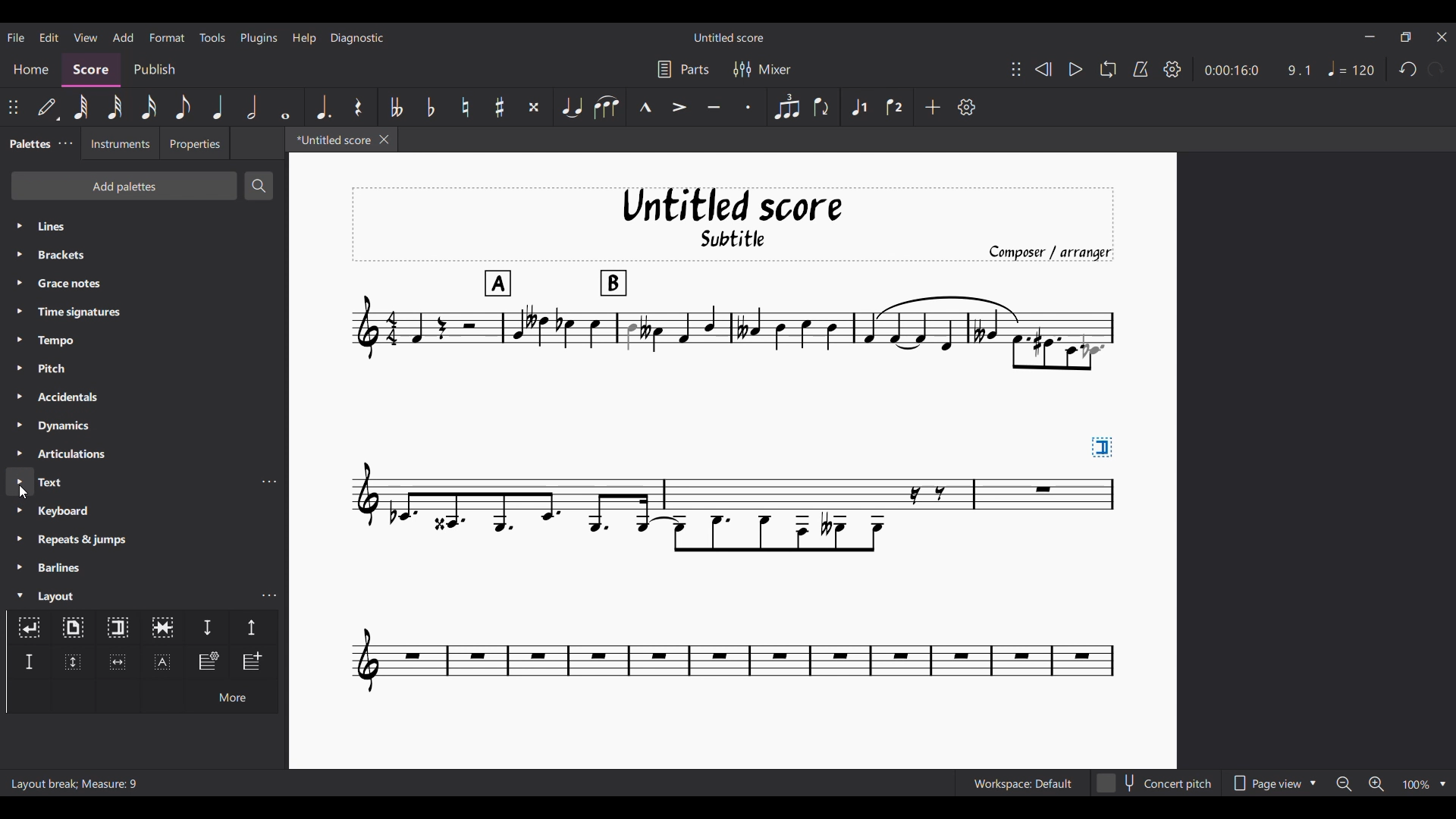  I want to click on Barlines, so click(144, 567).